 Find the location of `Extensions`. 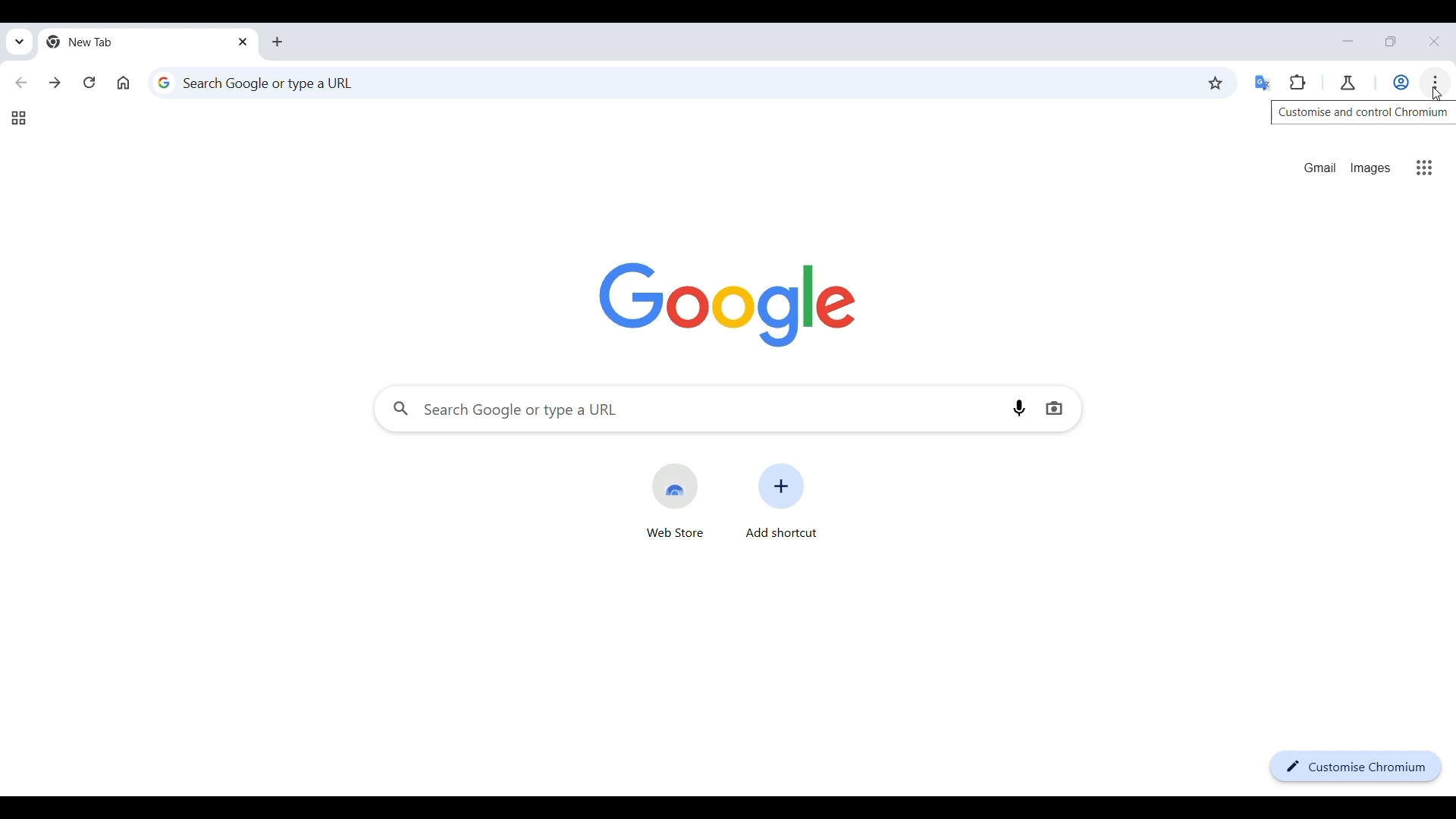

Extensions is located at coordinates (1298, 82).